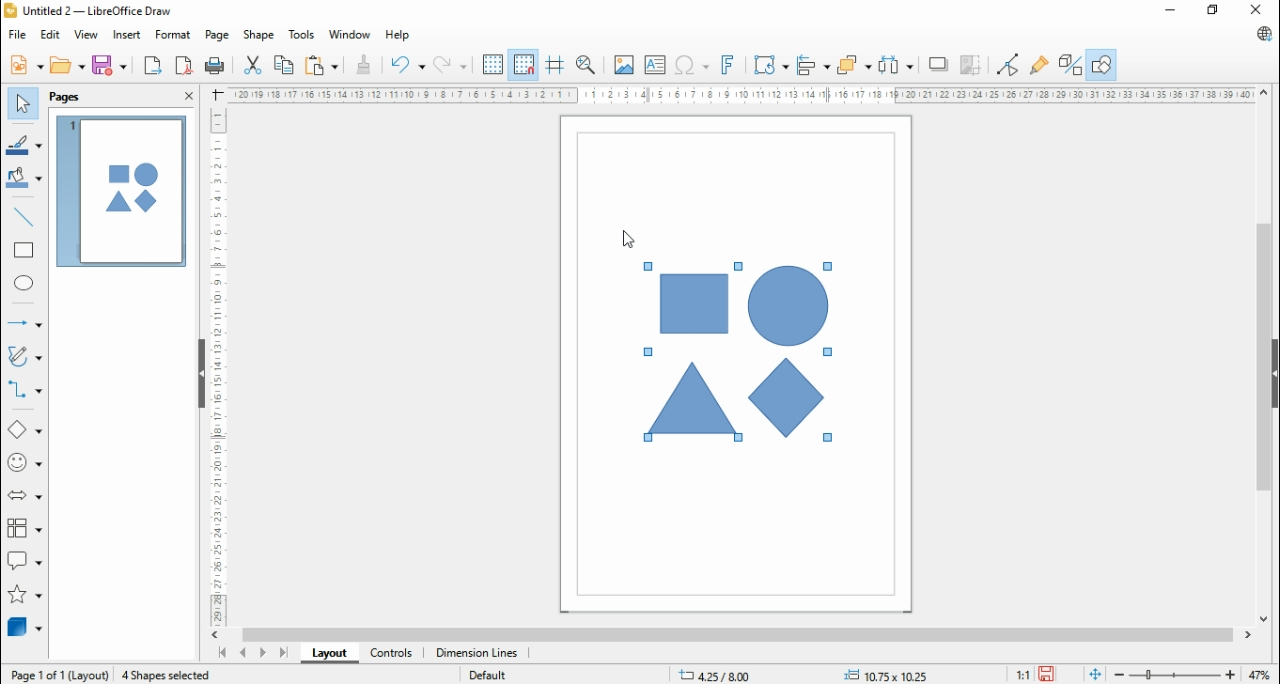 The height and width of the screenshot is (684, 1280). I want to click on 1:1, so click(1023, 674).